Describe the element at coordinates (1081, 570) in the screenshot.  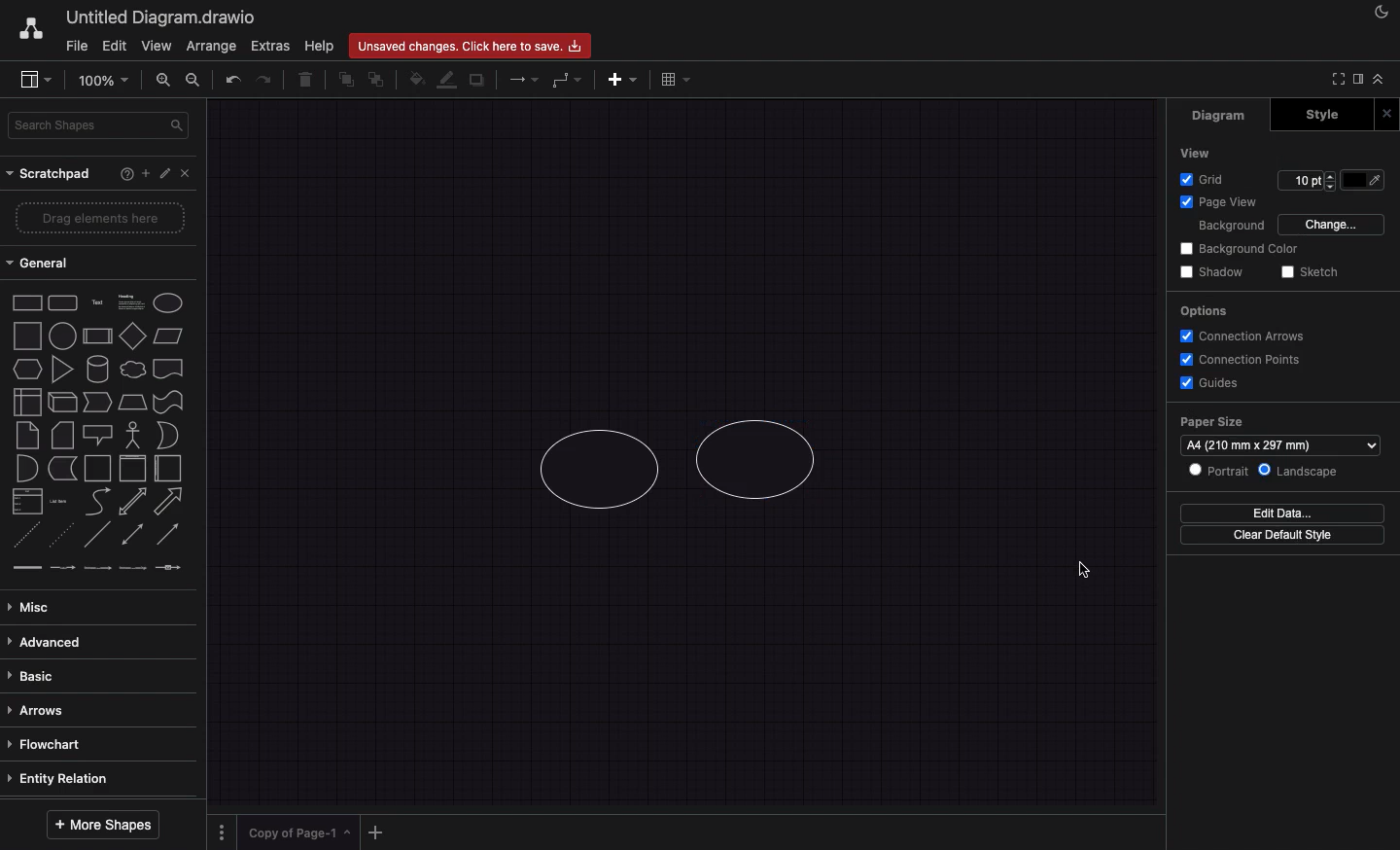
I see `cursor` at that location.